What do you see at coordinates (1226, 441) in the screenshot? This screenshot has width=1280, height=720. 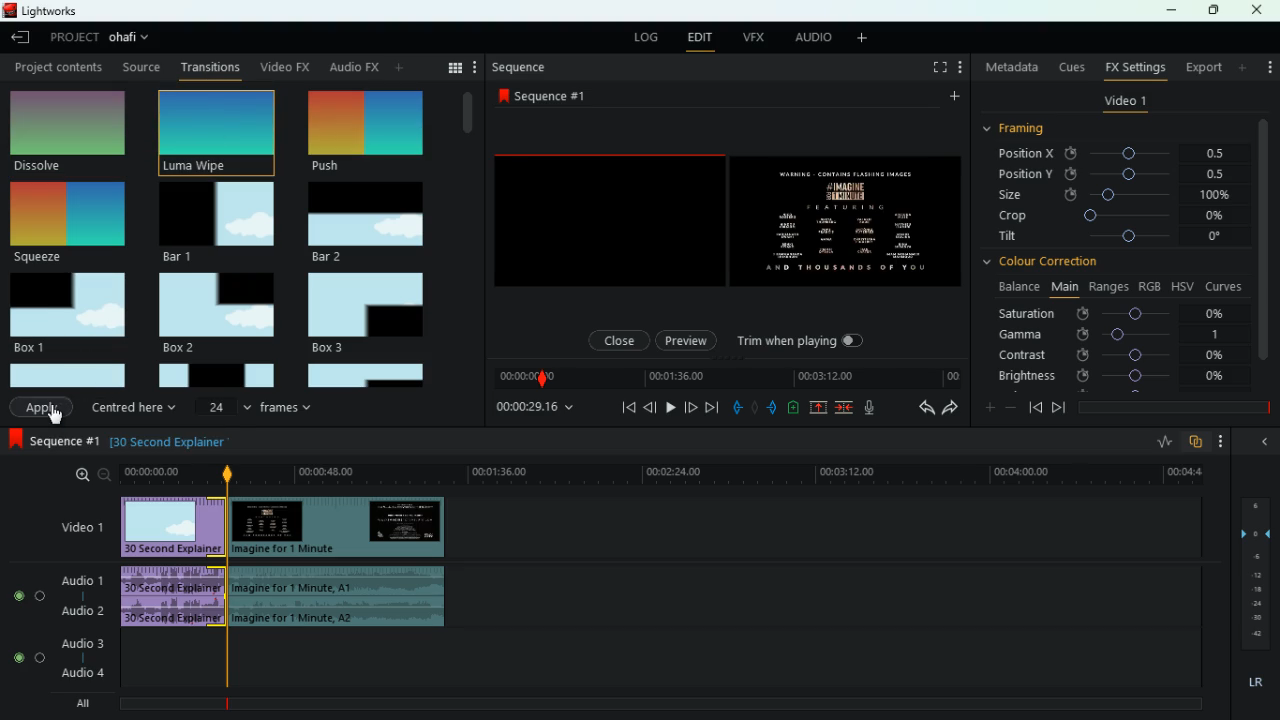 I see `more` at bounding box center [1226, 441].